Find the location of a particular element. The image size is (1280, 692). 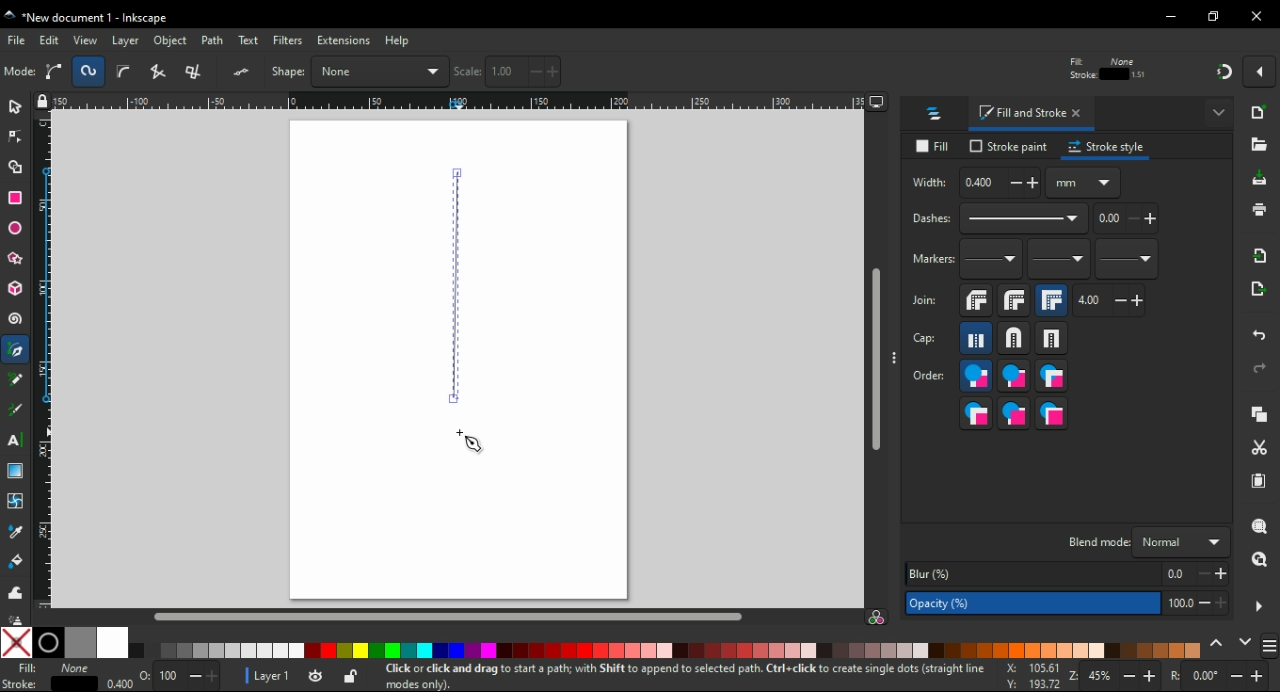

vertical coordinates is located at coordinates (643, 71).